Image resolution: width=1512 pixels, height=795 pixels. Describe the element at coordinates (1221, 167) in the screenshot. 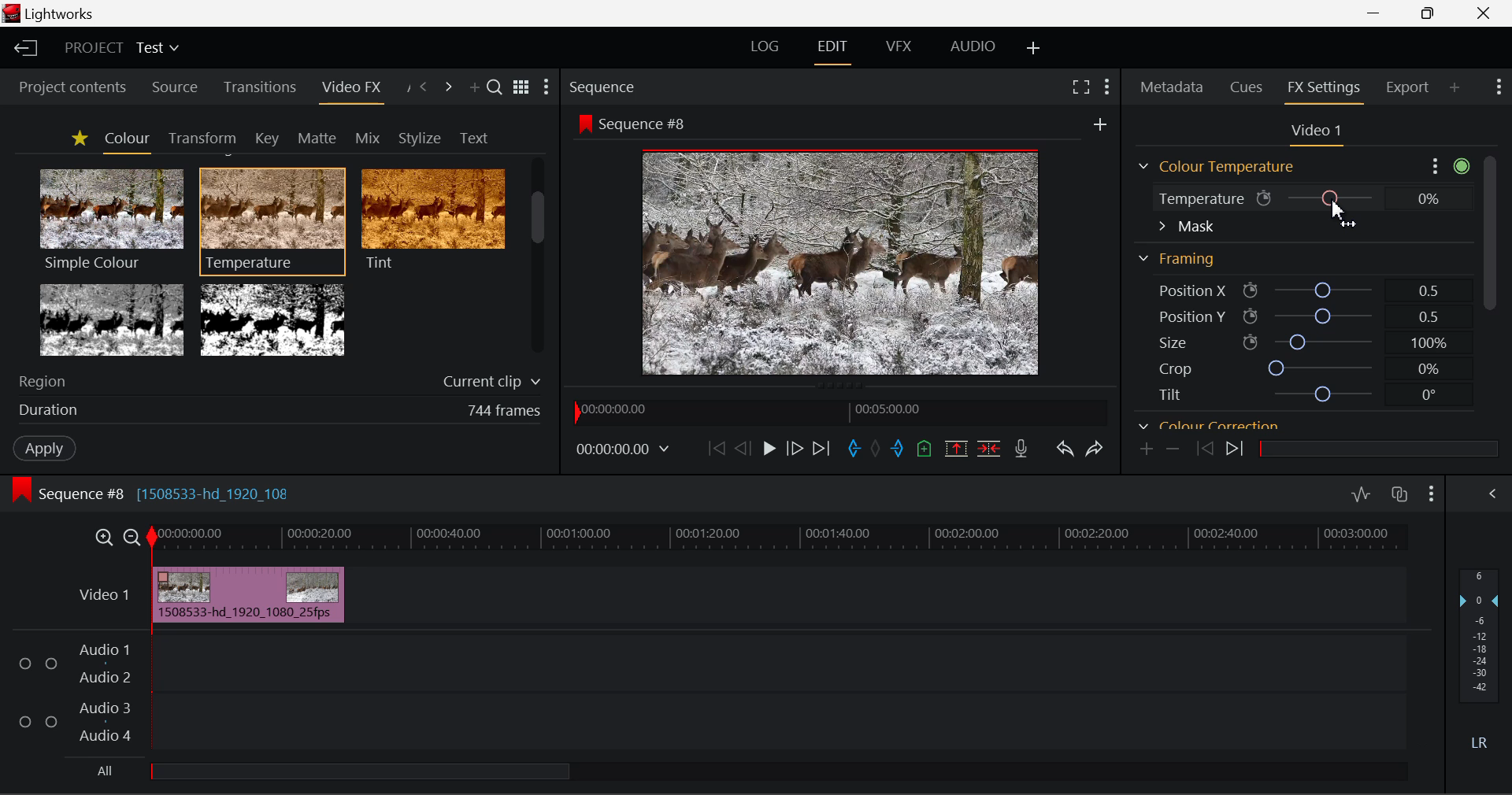

I see `Colour Temperature` at that location.